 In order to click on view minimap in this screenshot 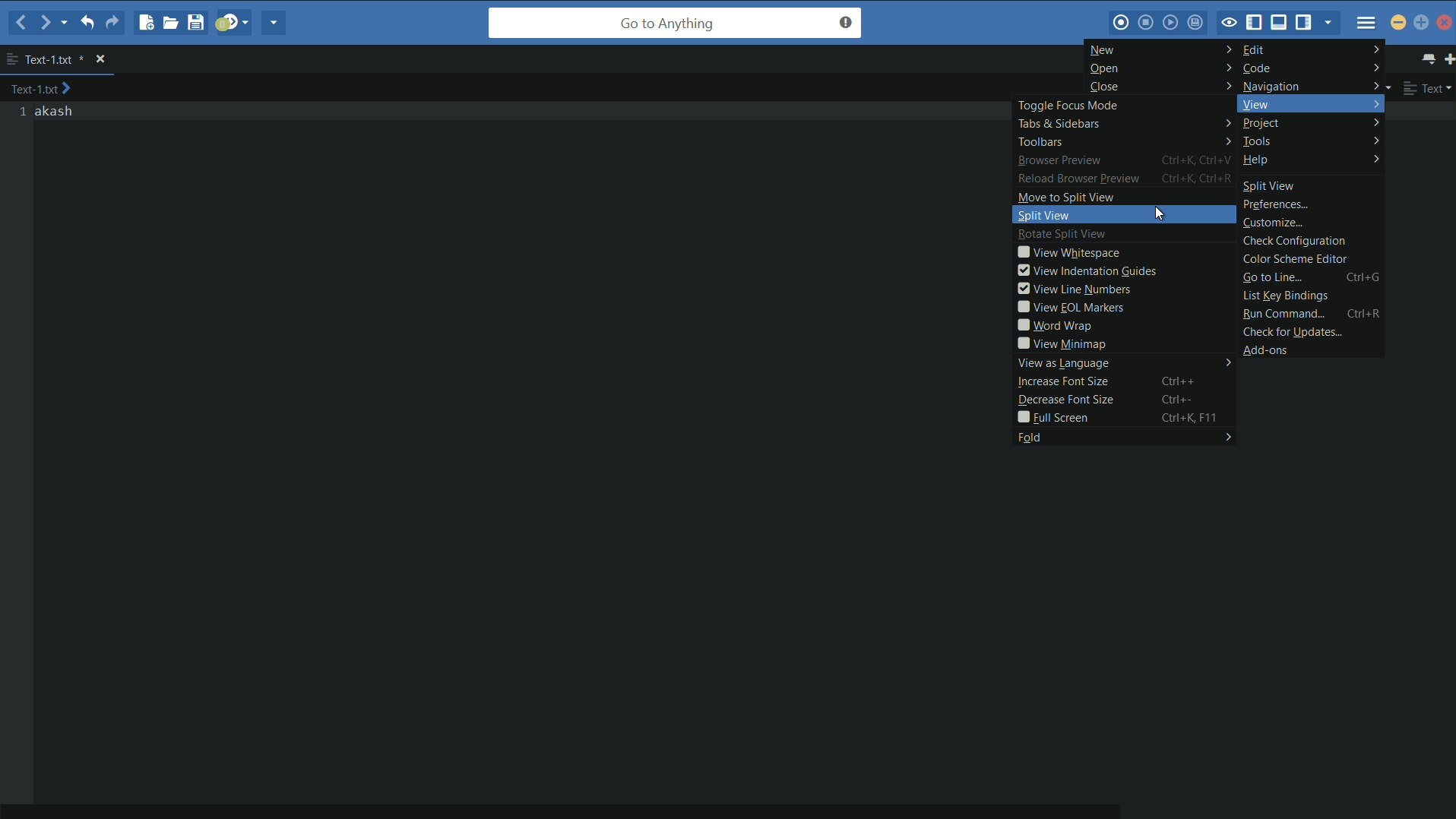, I will do `click(1124, 343)`.